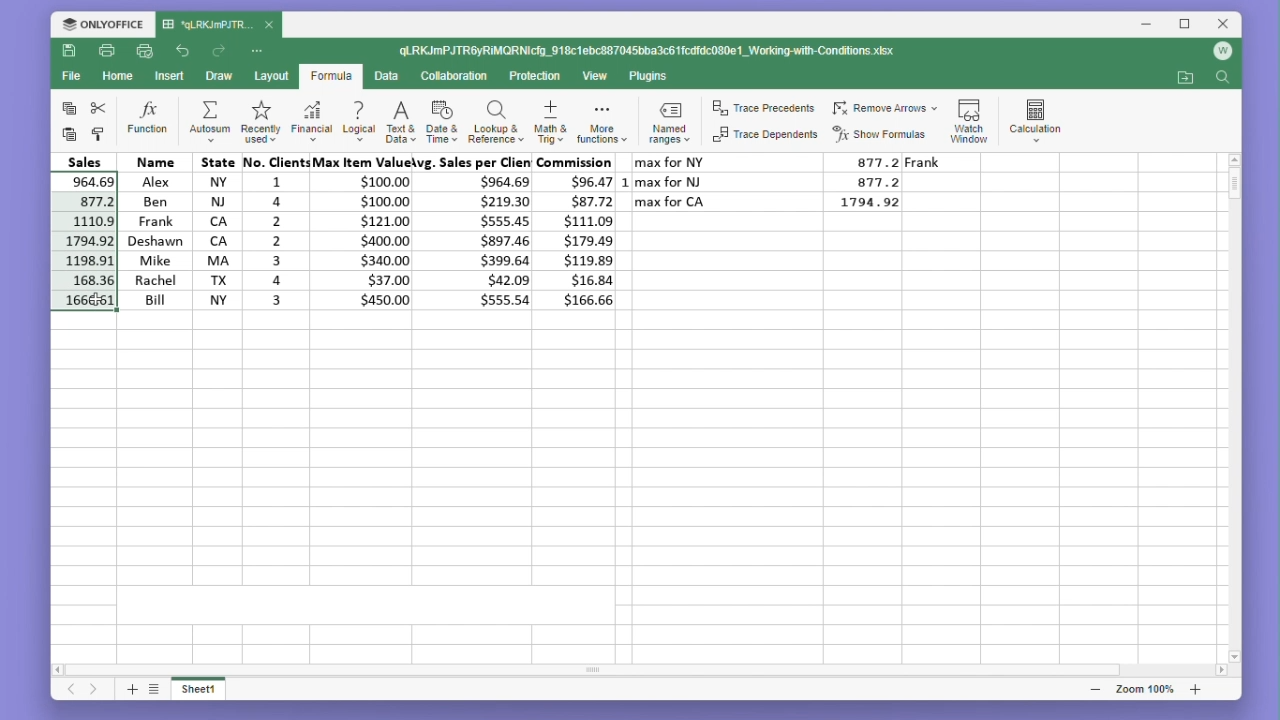 This screenshot has width=1280, height=720. What do you see at coordinates (1036, 117) in the screenshot?
I see `Calculation` at bounding box center [1036, 117].